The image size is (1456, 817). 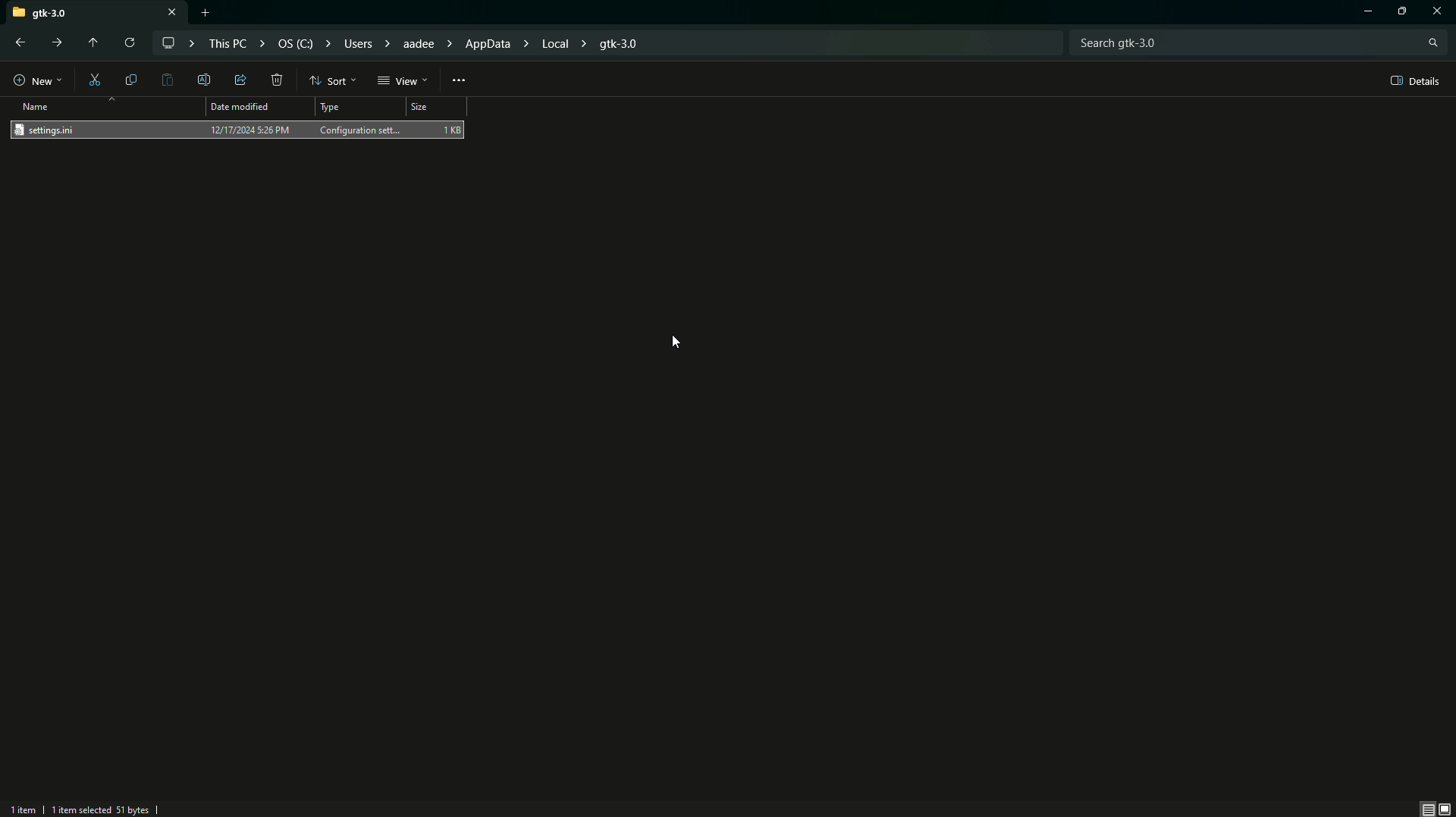 I want to click on View, so click(x=403, y=81).